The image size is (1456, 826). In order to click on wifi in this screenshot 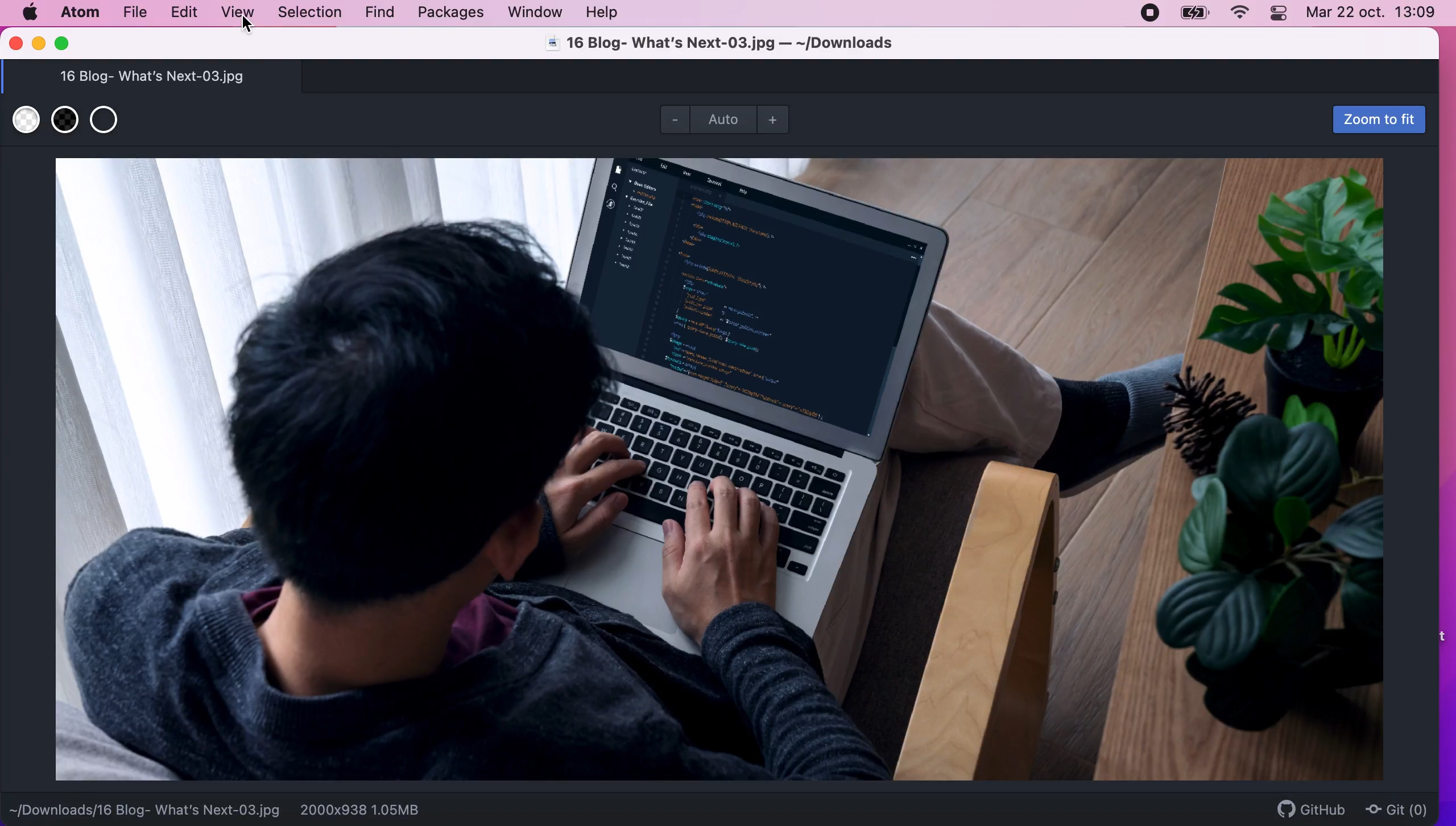, I will do `click(1239, 14)`.